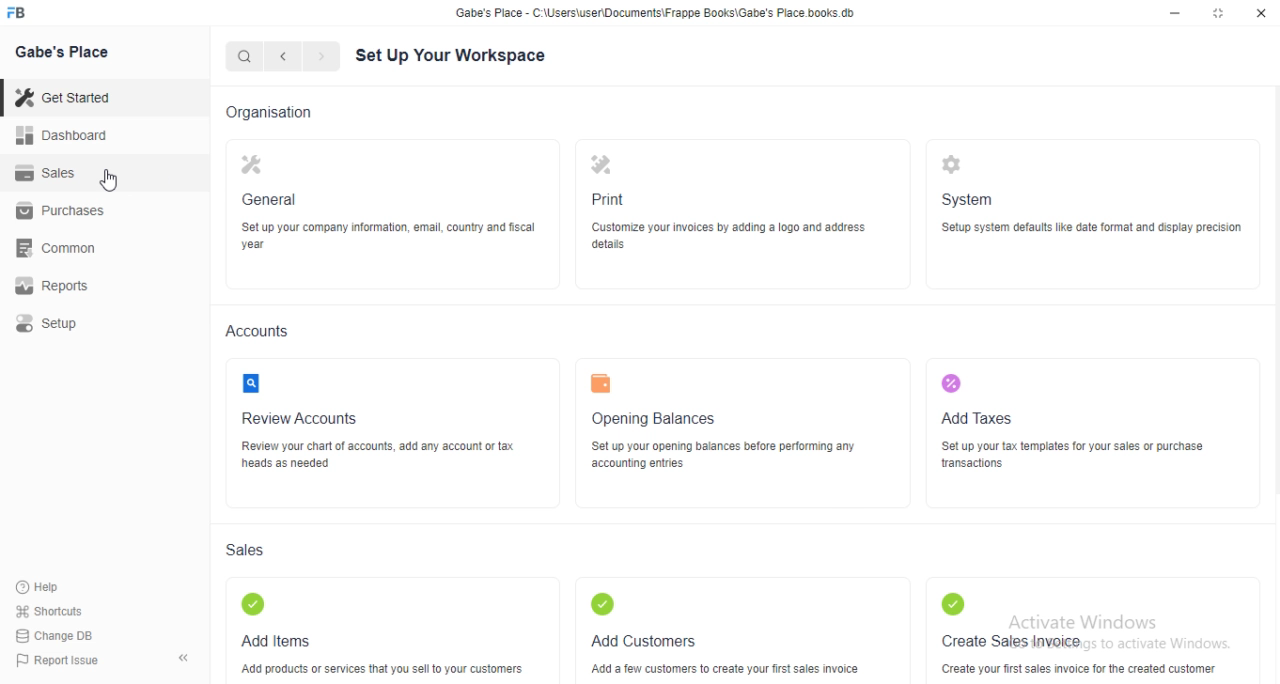 The width and height of the screenshot is (1280, 684). Describe the element at coordinates (63, 51) in the screenshot. I see `gabe's place` at that location.